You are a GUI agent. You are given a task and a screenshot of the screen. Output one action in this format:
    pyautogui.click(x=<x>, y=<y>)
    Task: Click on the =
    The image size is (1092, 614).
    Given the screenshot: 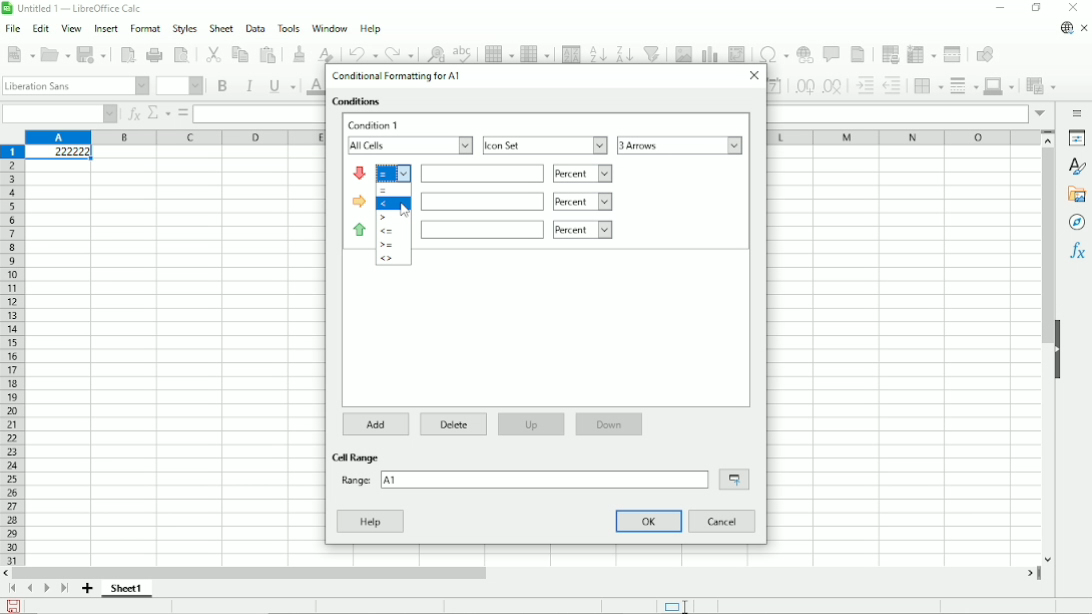 What is the action you would take?
    pyautogui.click(x=394, y=173)
    